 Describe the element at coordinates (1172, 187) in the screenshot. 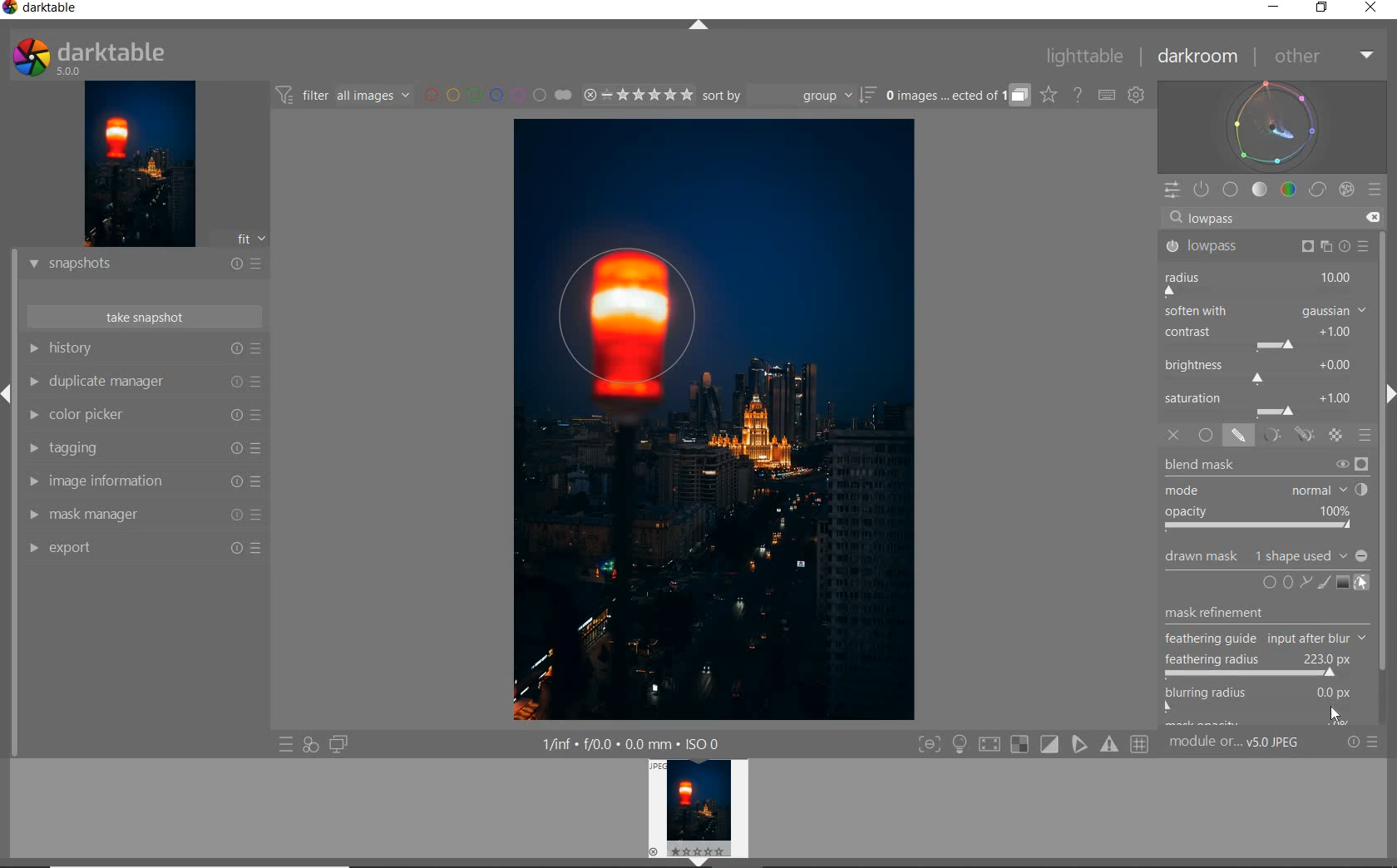

I see `QUICK ACCESS PANEL` at that location.